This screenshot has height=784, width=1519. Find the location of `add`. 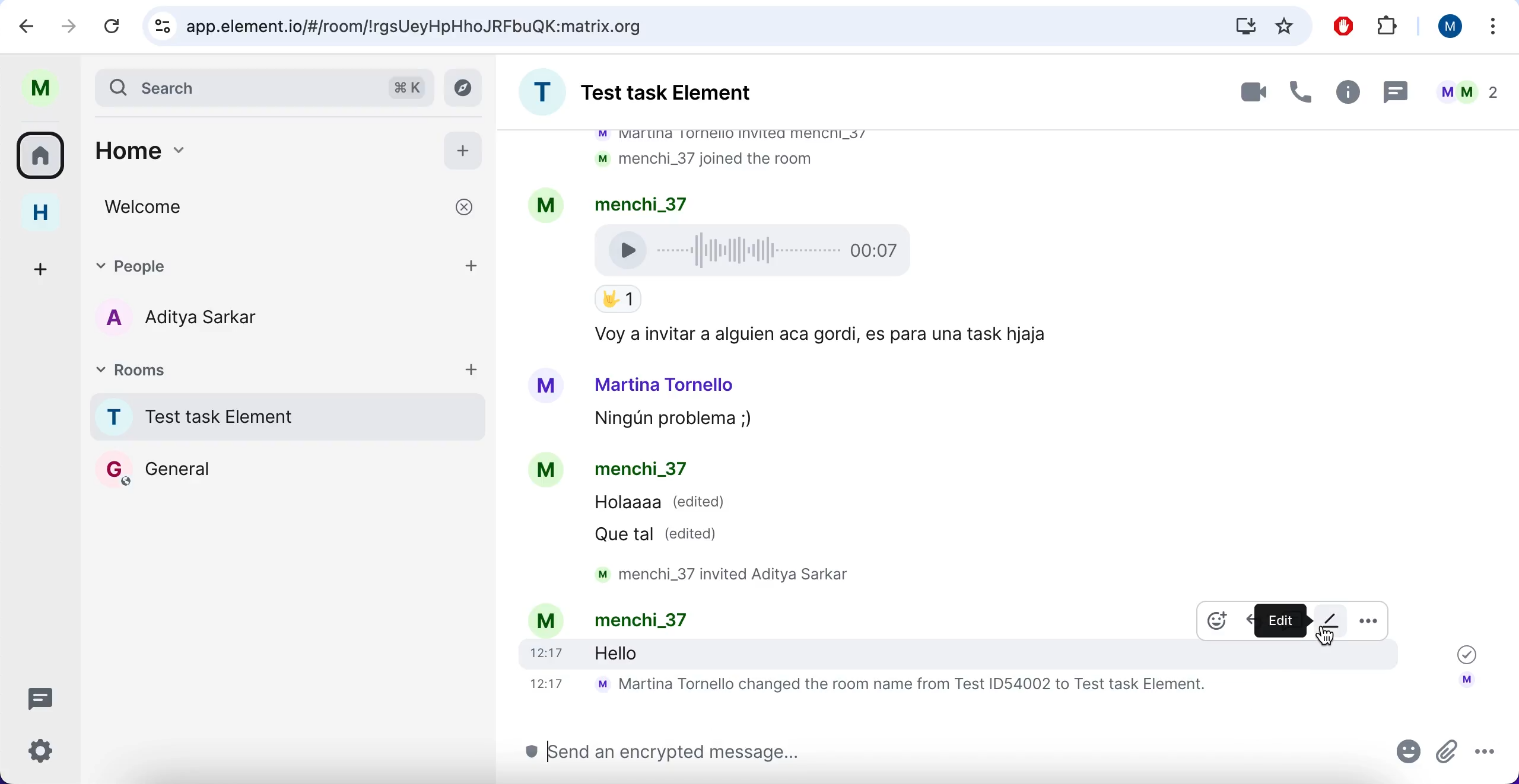

add is located at coordinates (475, 264).